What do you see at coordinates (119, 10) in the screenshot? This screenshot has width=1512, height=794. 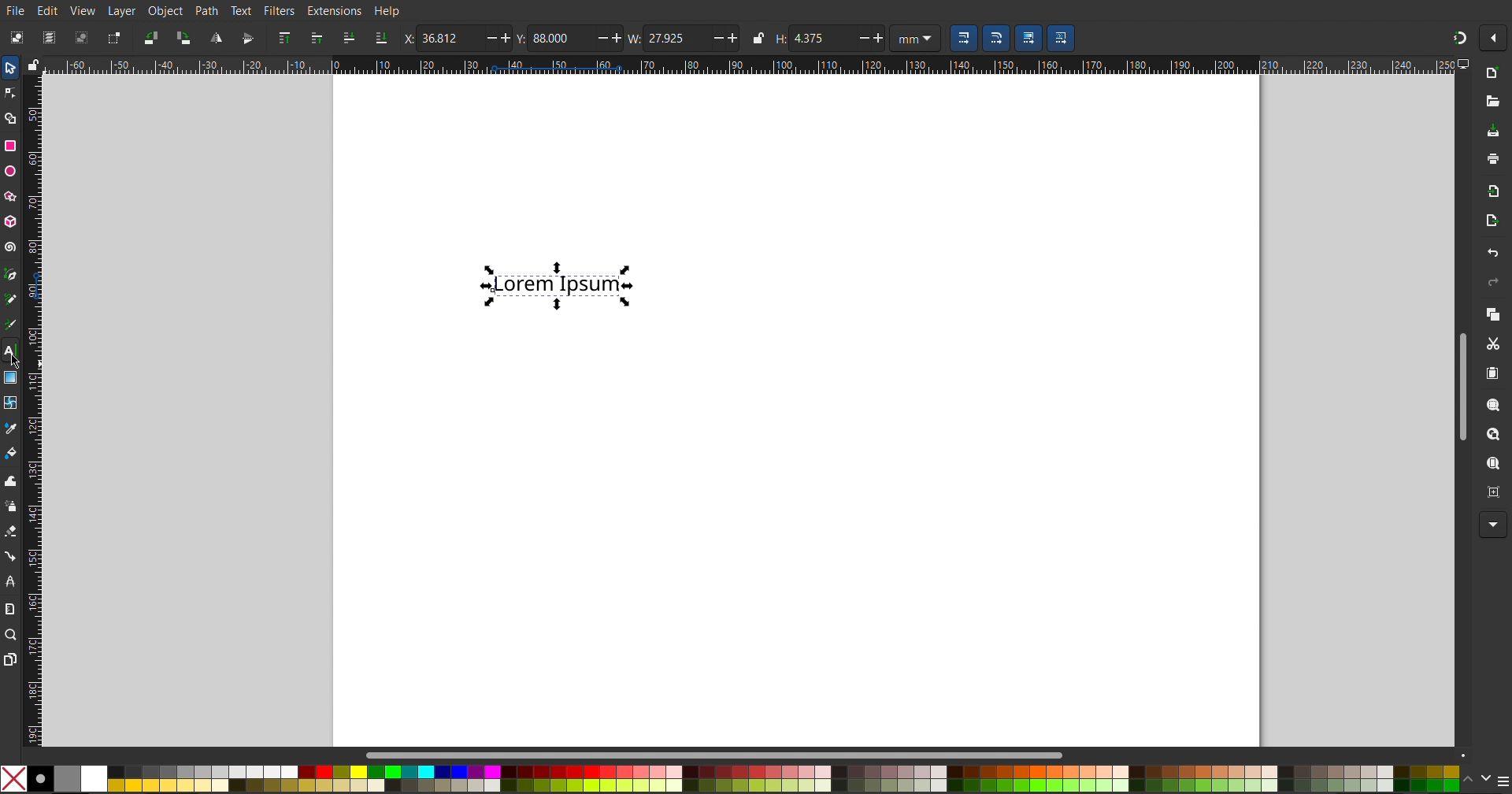 I see `Layer` at bounding box center [119, 10].